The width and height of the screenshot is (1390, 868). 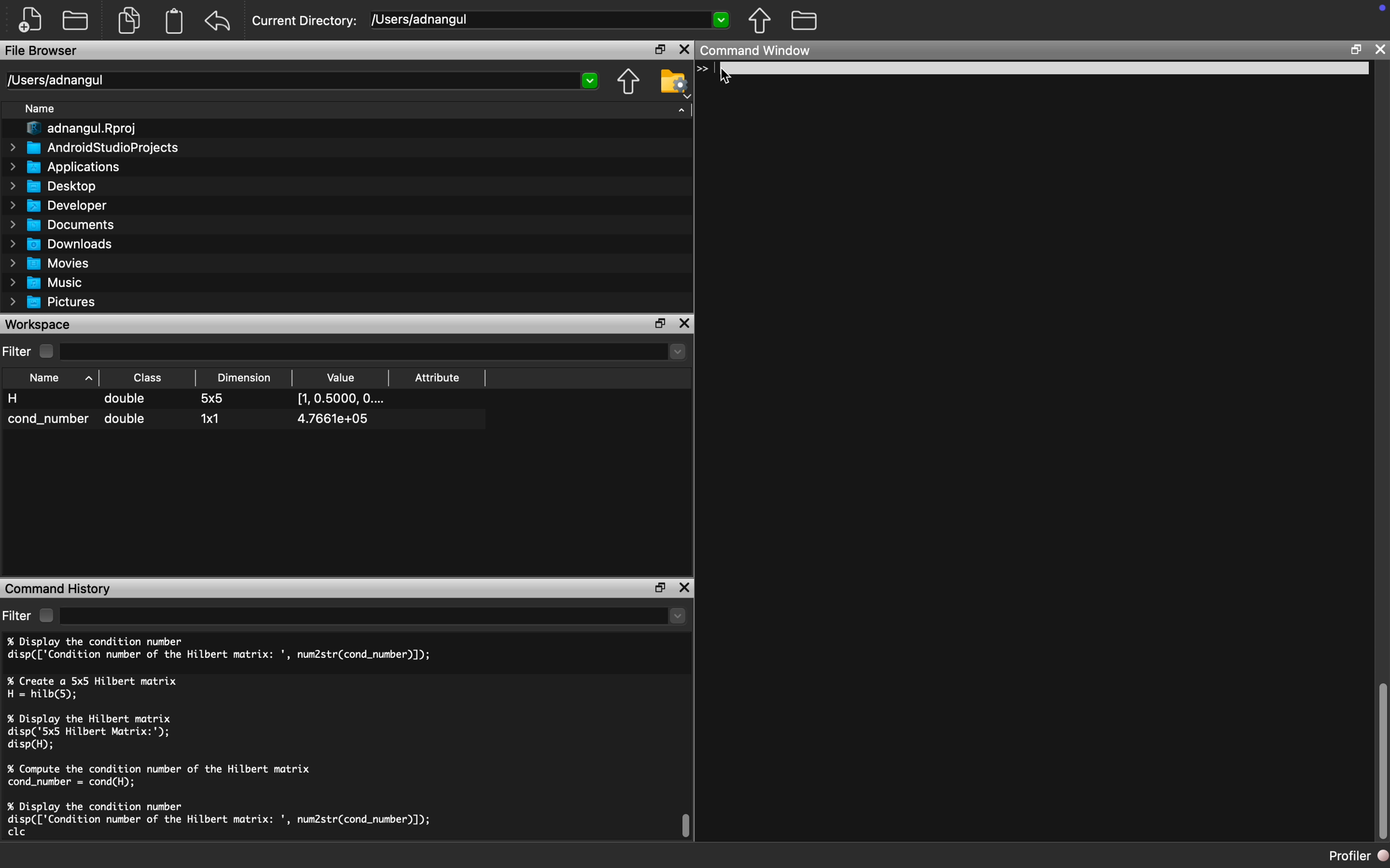 I want to click on Pictures, so click(x=55, y=301).